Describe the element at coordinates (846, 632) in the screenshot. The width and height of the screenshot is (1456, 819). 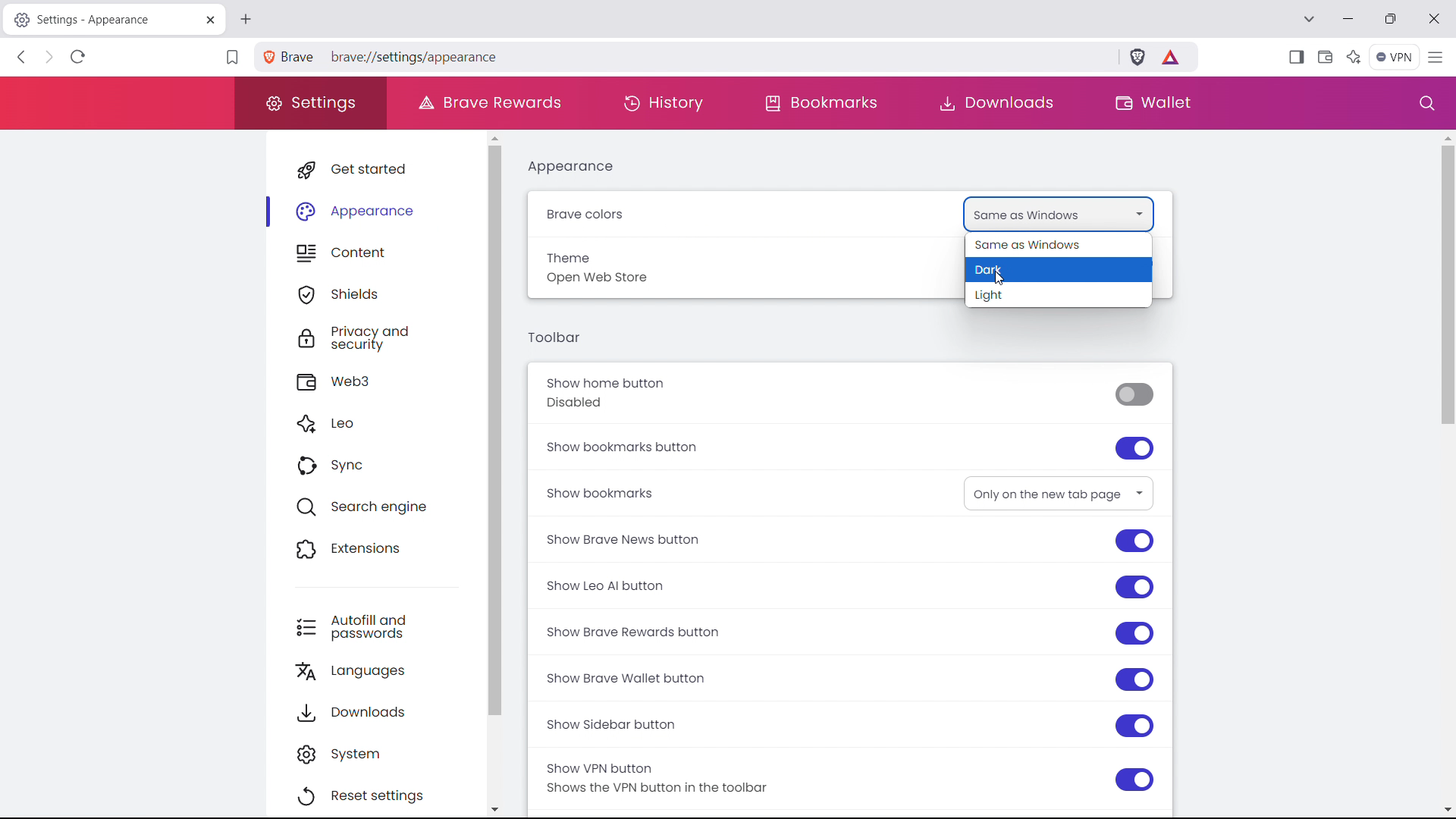
I see `show brave rewards button` at that location.